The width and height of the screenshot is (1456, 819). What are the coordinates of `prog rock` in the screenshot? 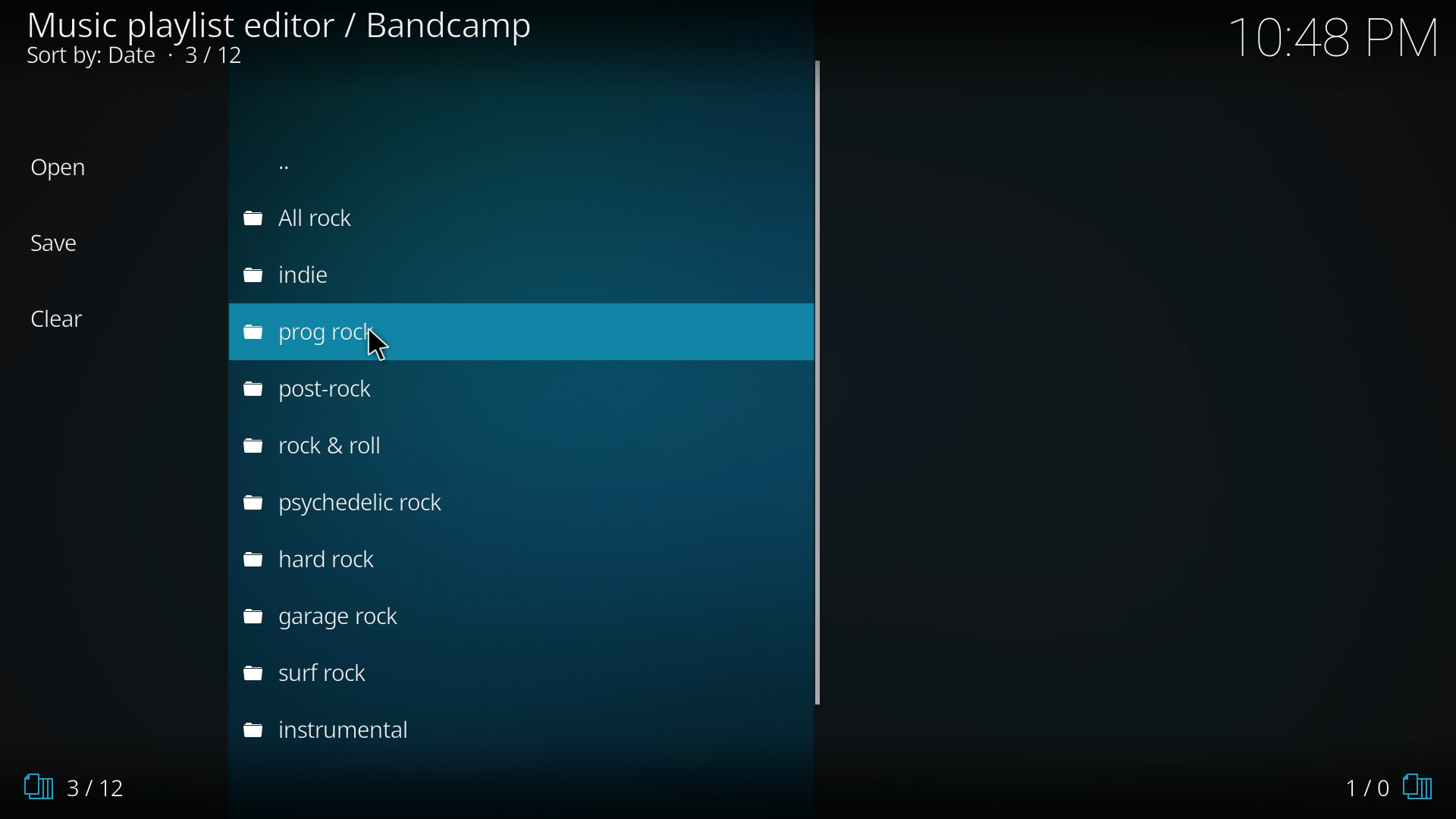 It's located at (296, 331).